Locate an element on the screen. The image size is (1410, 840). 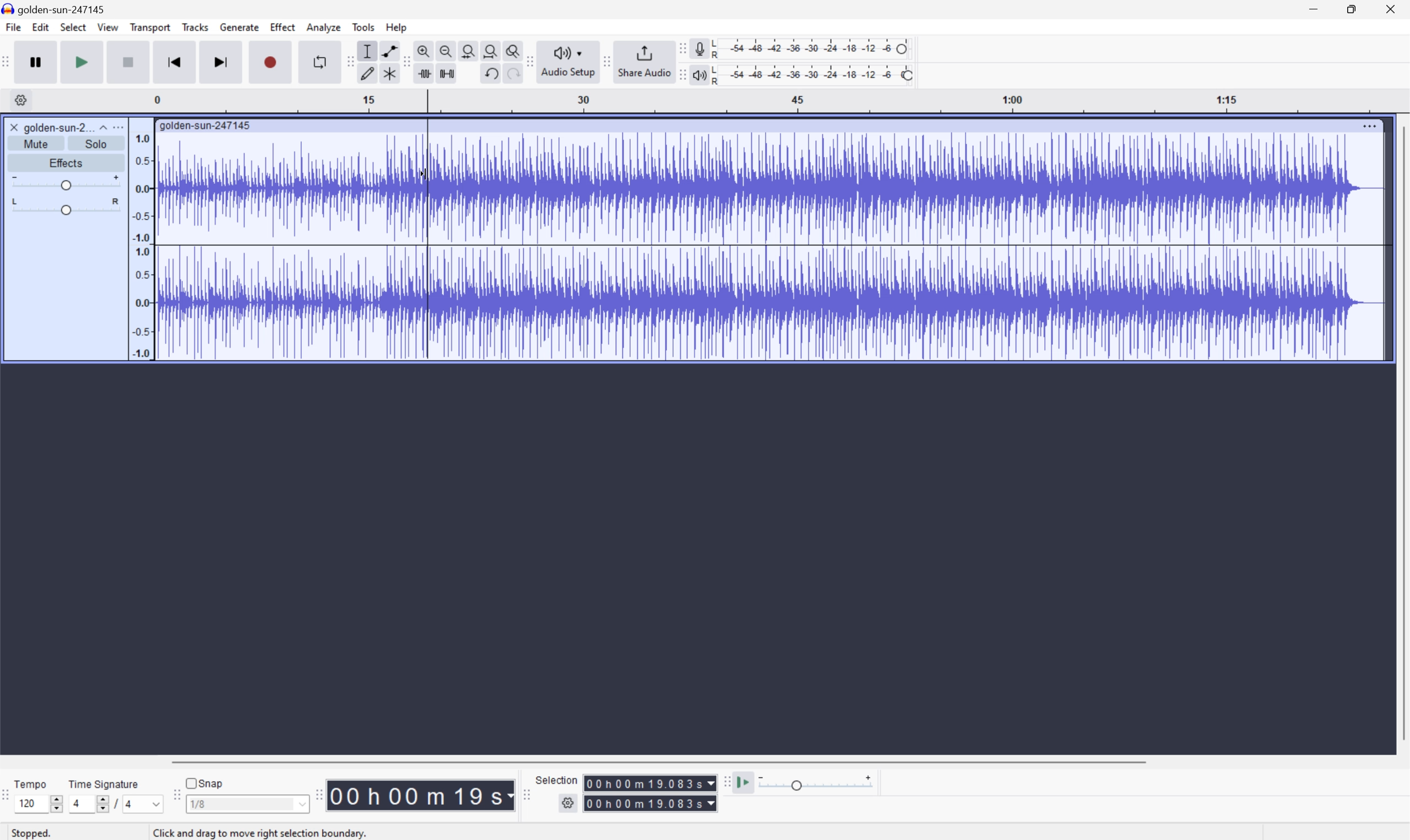
Tools is located at coordinates (364, 27).